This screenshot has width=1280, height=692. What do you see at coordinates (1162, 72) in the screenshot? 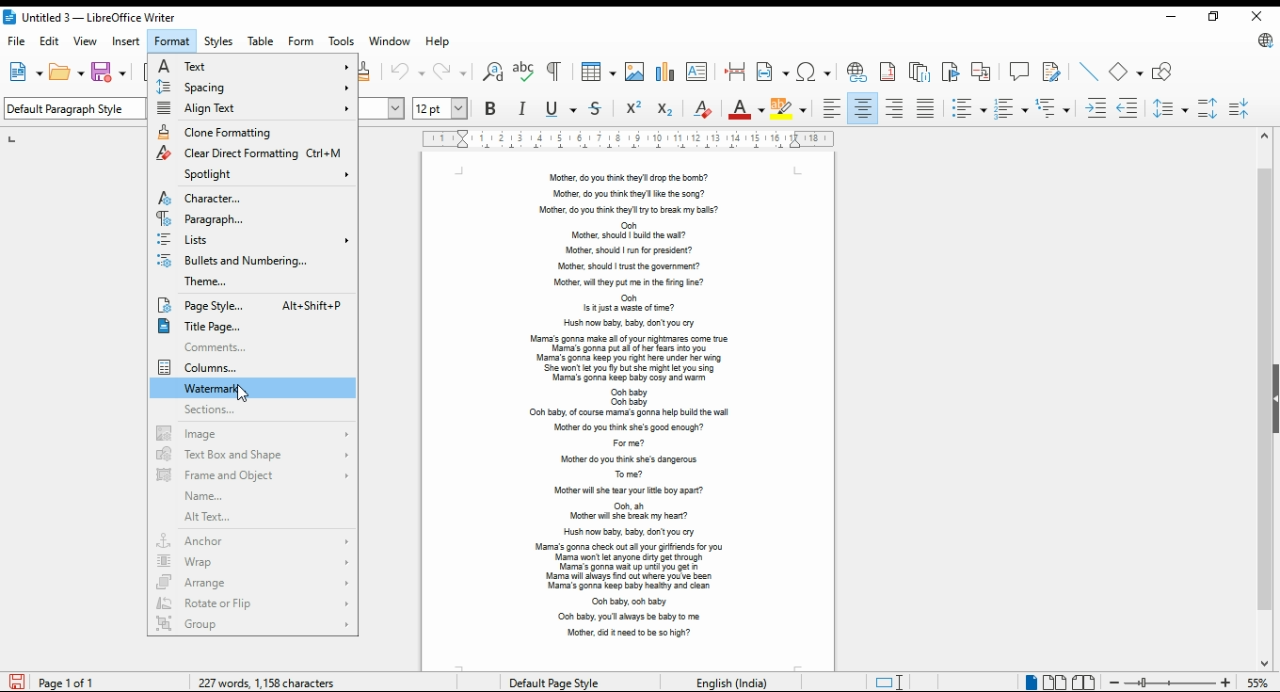
I see `show draw functions` at bounding box center [1162, 72].